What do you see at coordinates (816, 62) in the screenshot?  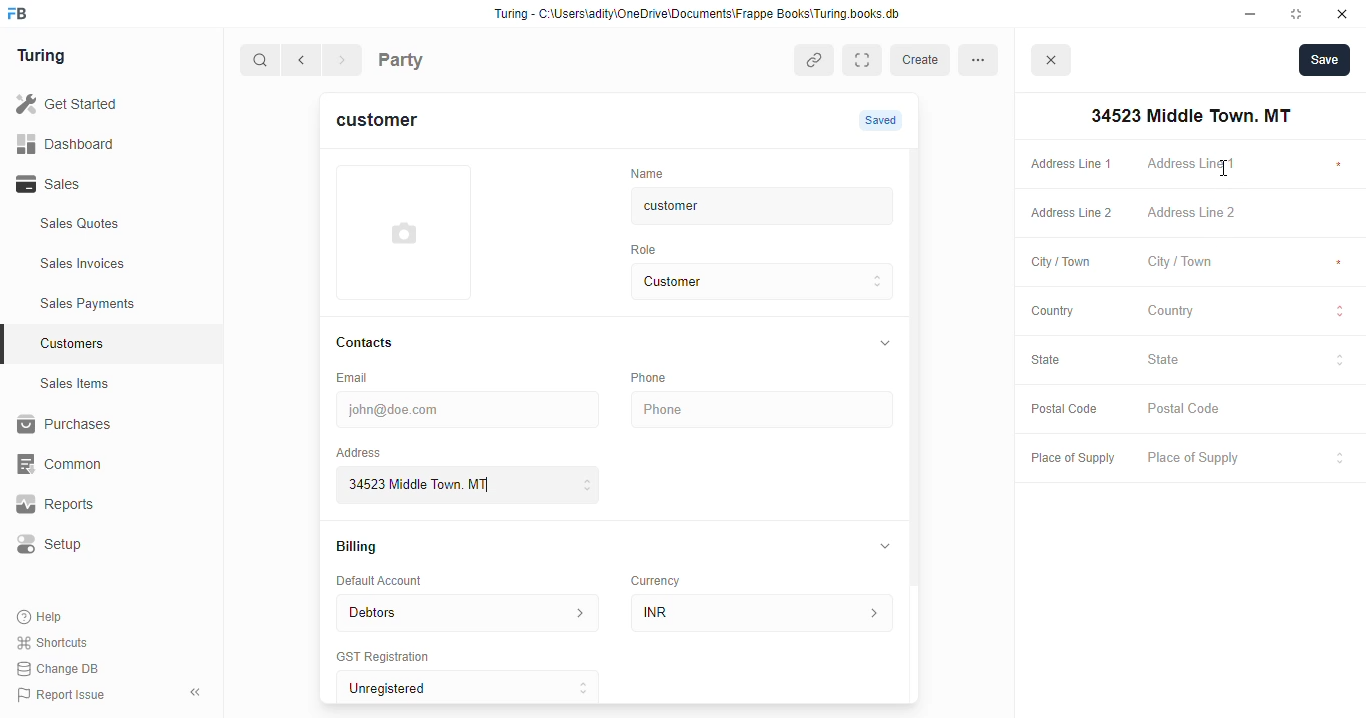 I see `copy link` at bounding box center [816, 62].